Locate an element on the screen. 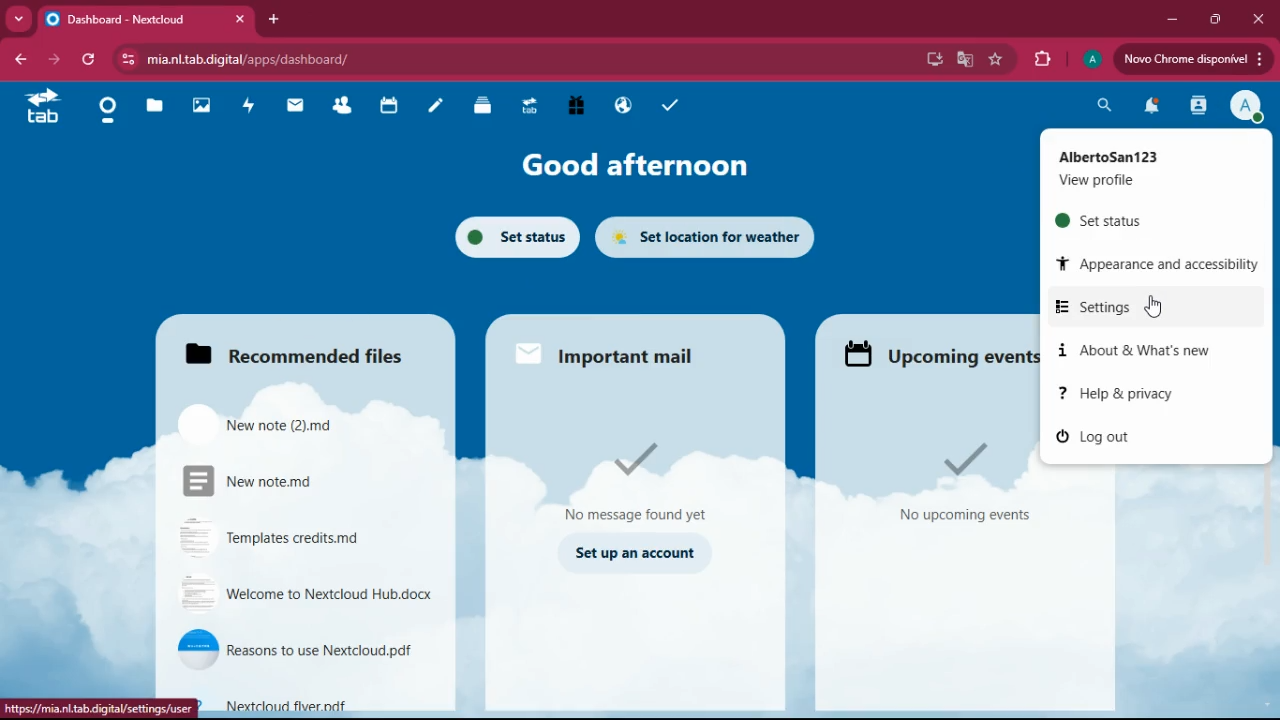 This screenshot has width=1280, height=720. profile is located at coordinates (1106, 156).